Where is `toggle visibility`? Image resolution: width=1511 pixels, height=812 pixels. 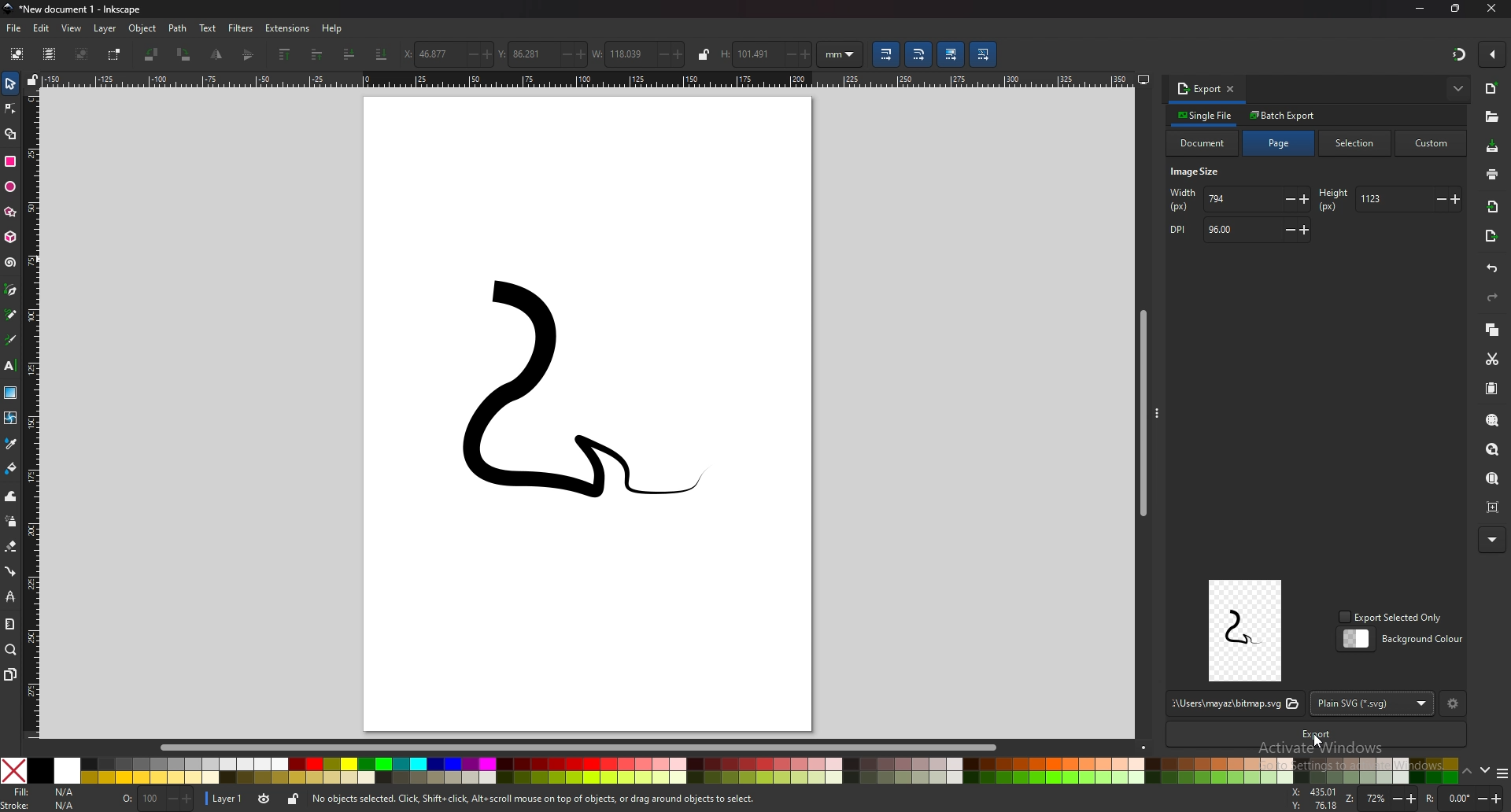
toggle visibility is located at coordinates (264, 799).